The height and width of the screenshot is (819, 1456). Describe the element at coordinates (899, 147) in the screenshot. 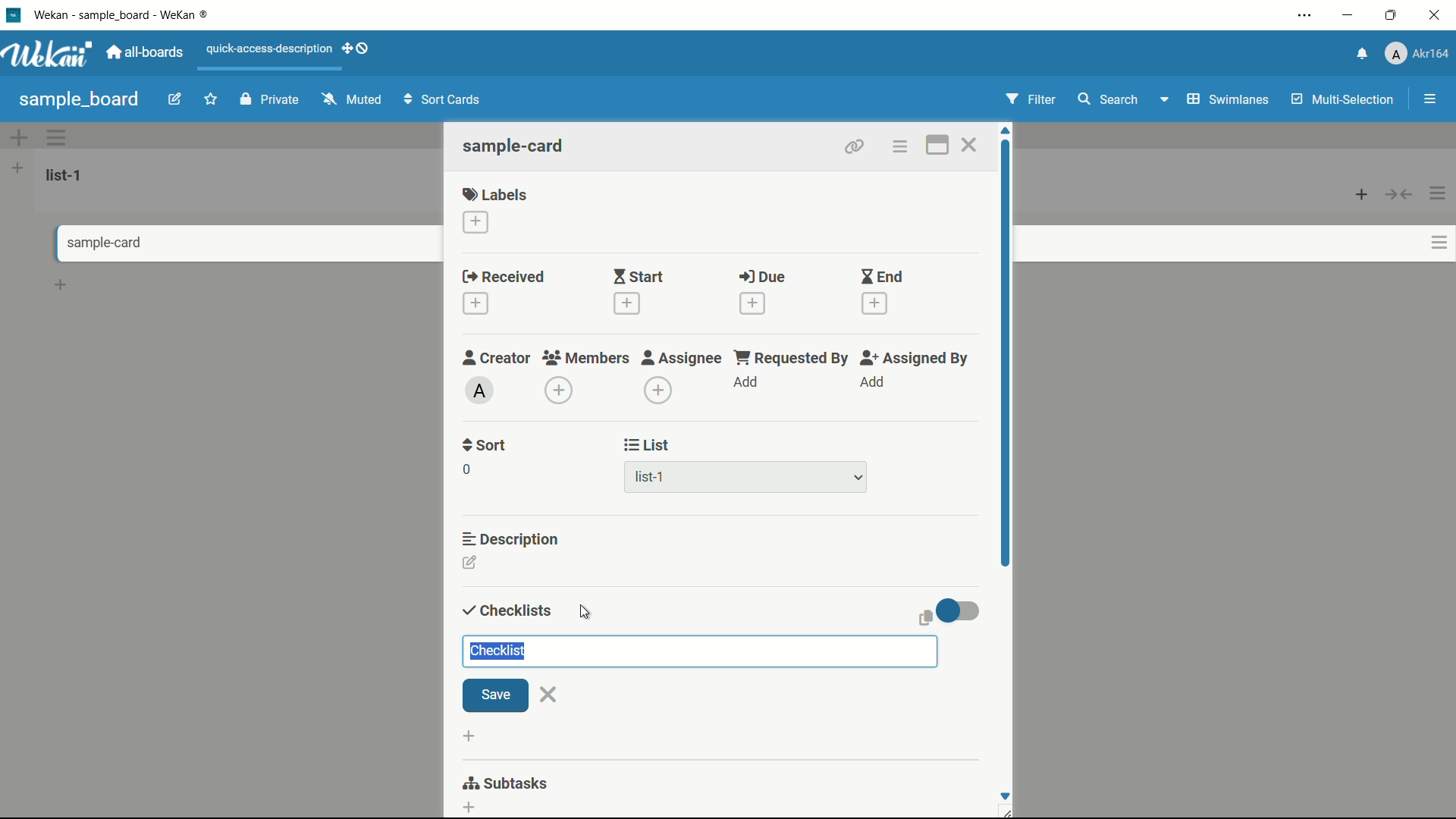

I see `card actions` at that location.